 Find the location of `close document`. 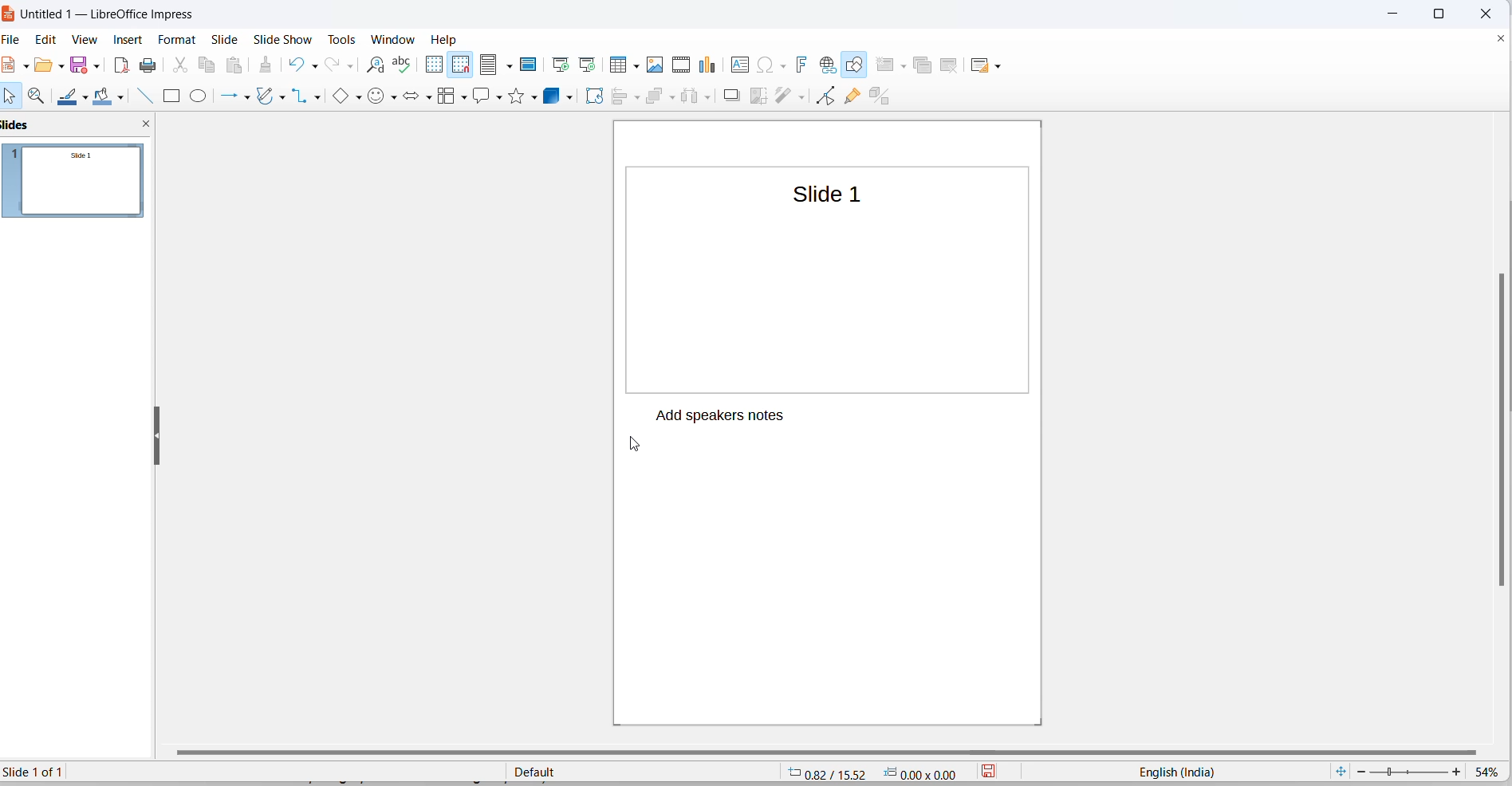

close document is located at coordinates (1501, 39).